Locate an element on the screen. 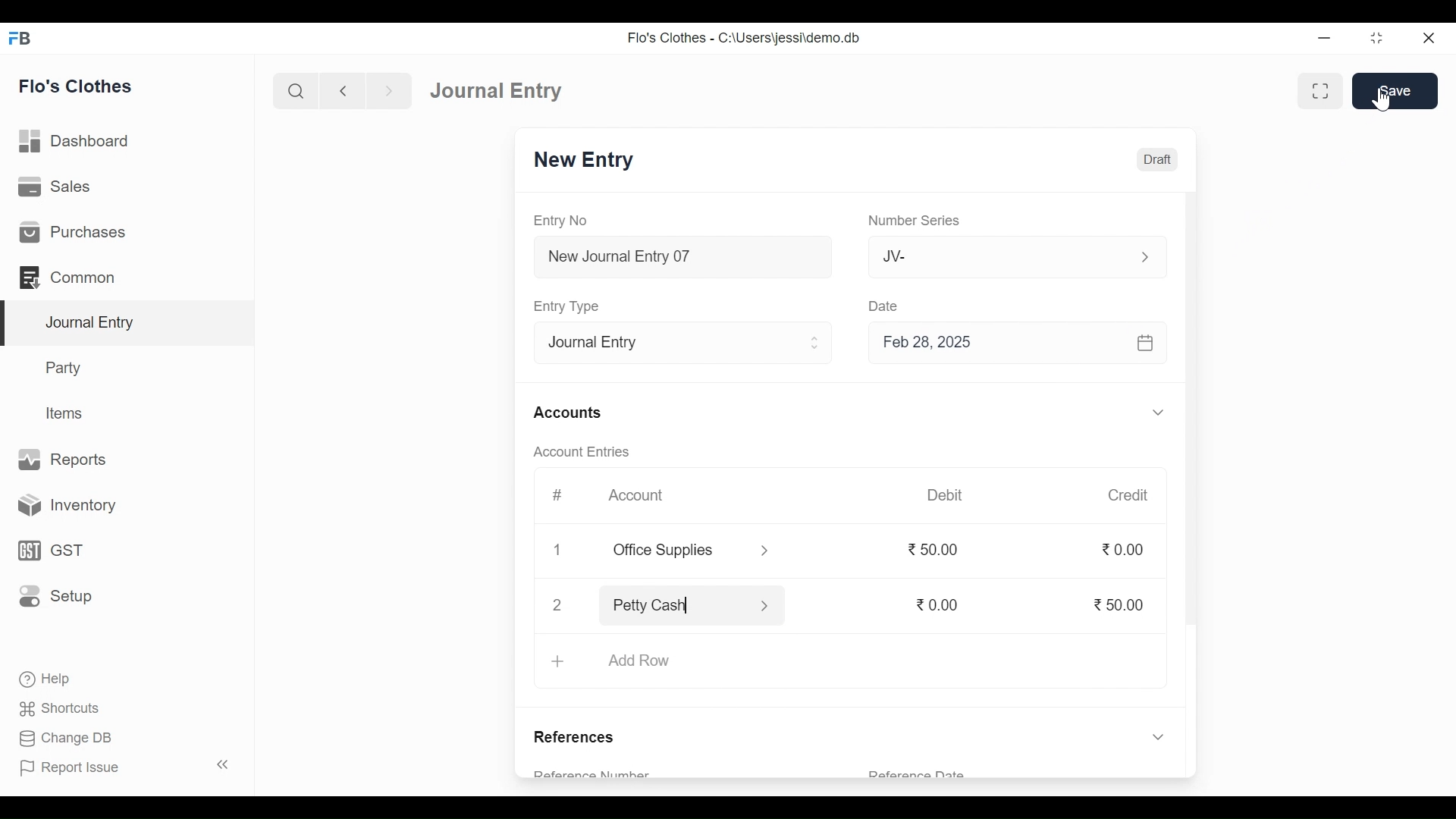  # is located at coordinates (558, 494).